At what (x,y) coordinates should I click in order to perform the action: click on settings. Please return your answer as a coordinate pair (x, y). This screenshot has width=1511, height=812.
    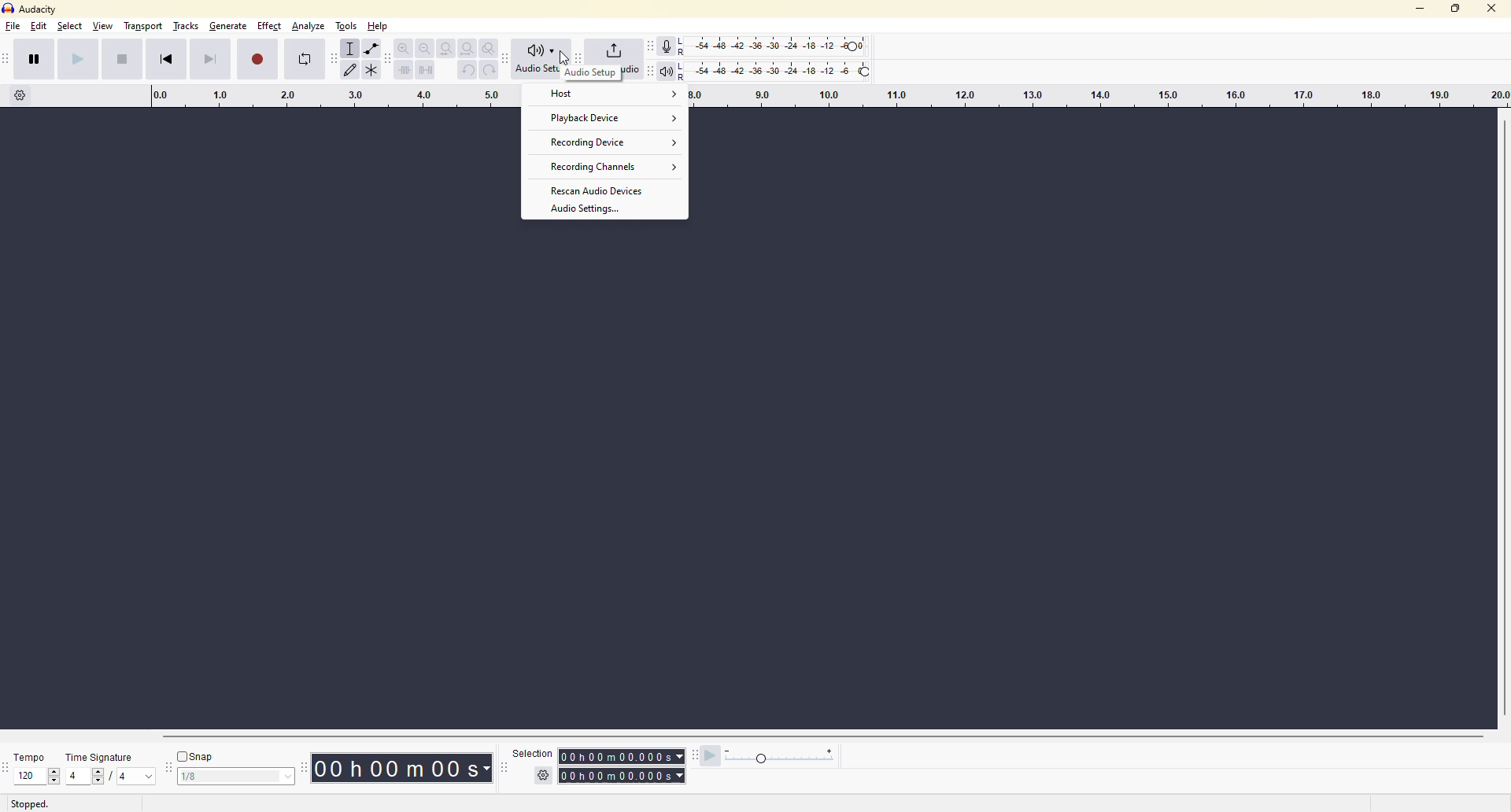
    Looking at the image, I should click on (541, 776).